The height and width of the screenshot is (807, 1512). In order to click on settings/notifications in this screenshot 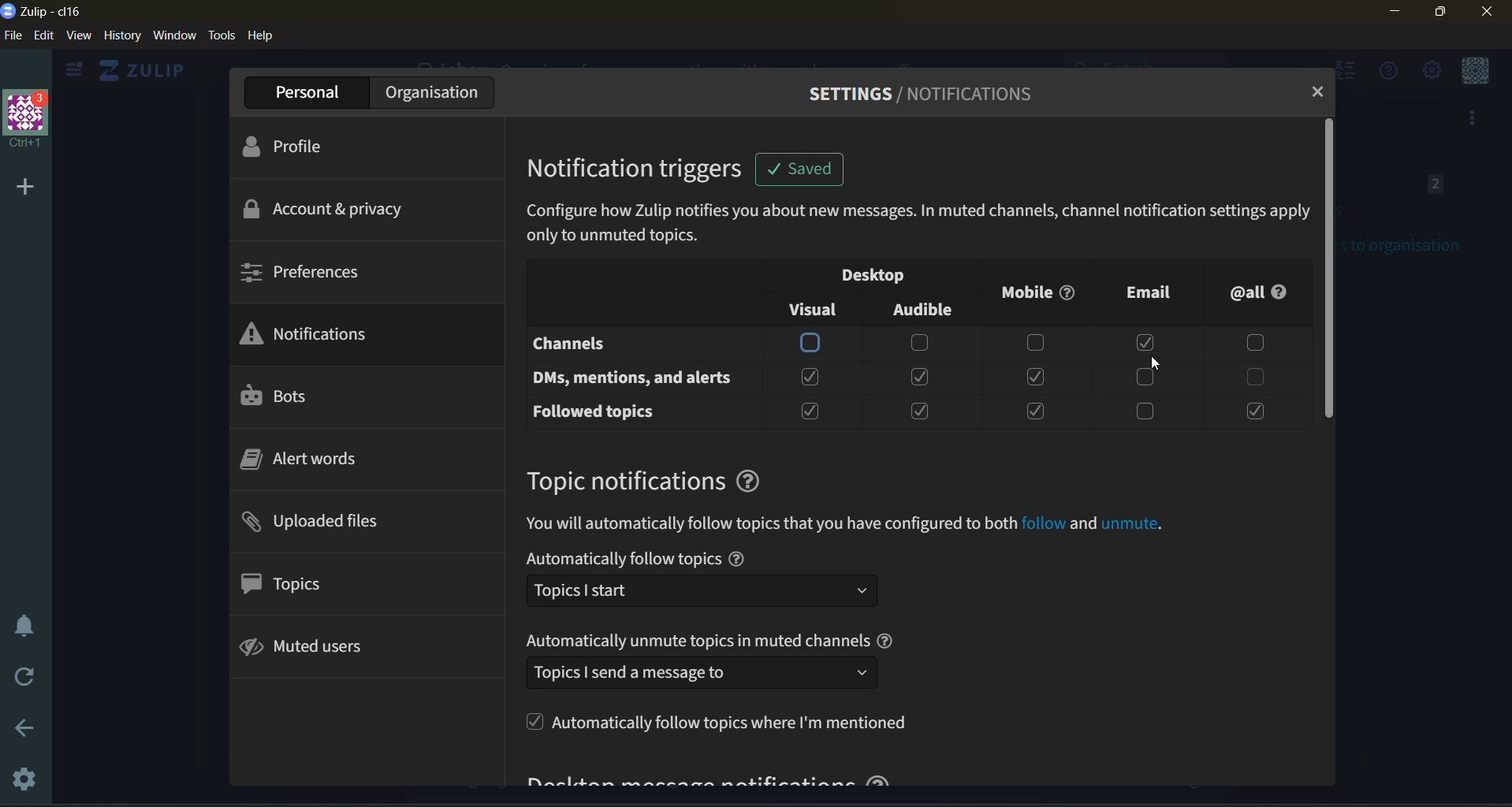, I will do `click(918, 94)`.